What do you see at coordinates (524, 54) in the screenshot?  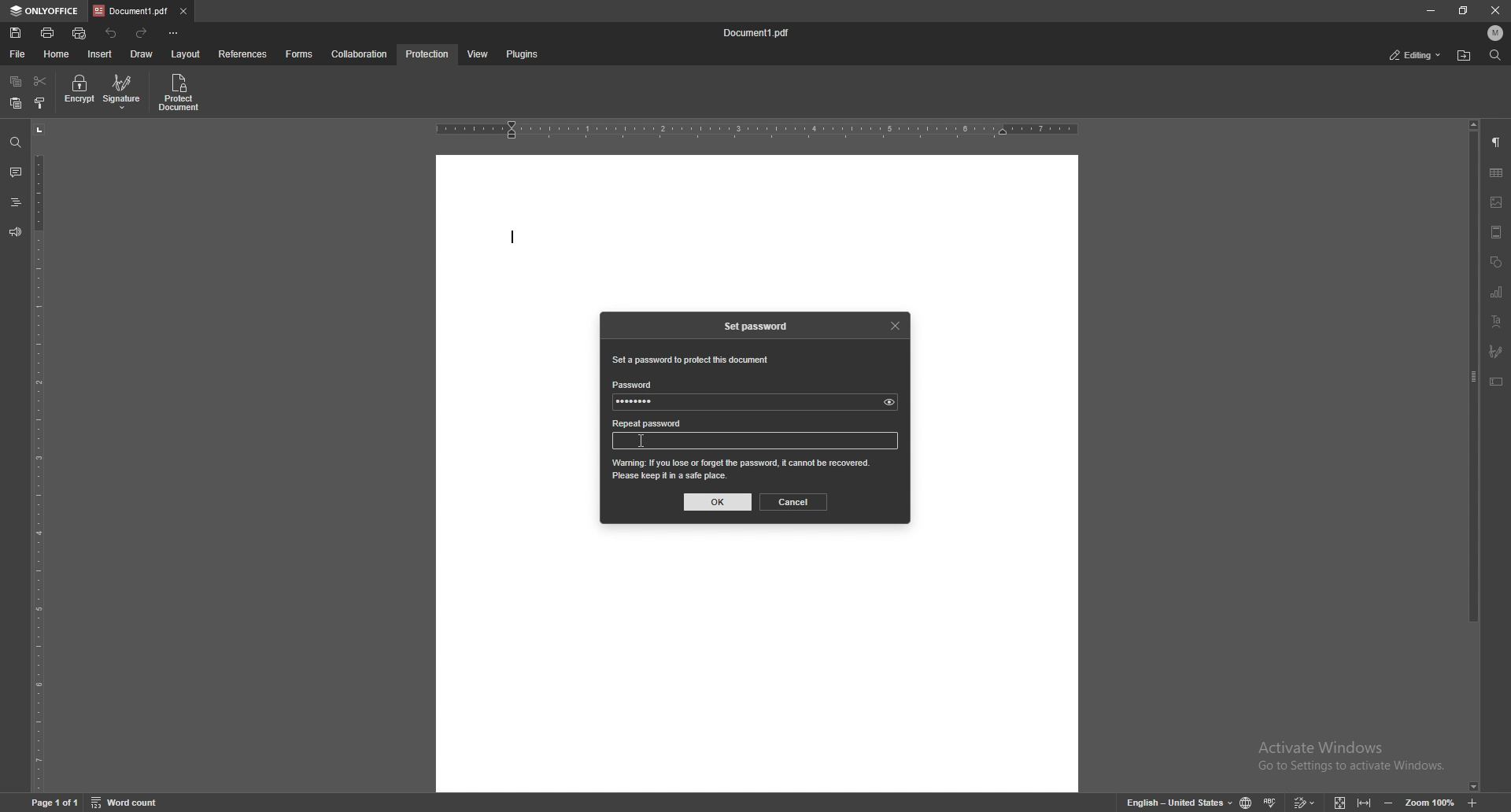 I see `plugins` at bounding box center [524, 54].